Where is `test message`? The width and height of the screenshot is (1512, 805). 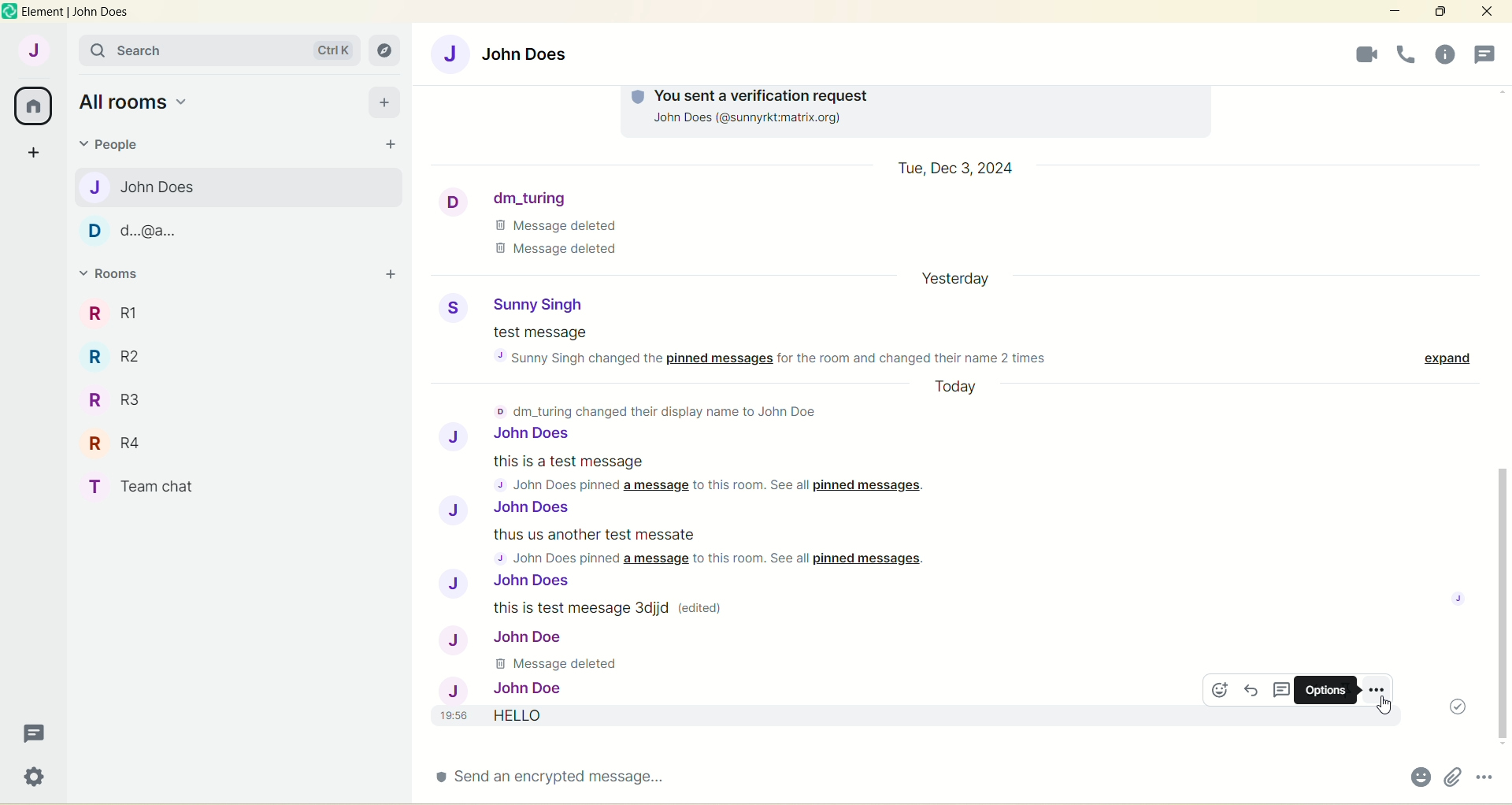
test message is located at coordinates (543, 334).